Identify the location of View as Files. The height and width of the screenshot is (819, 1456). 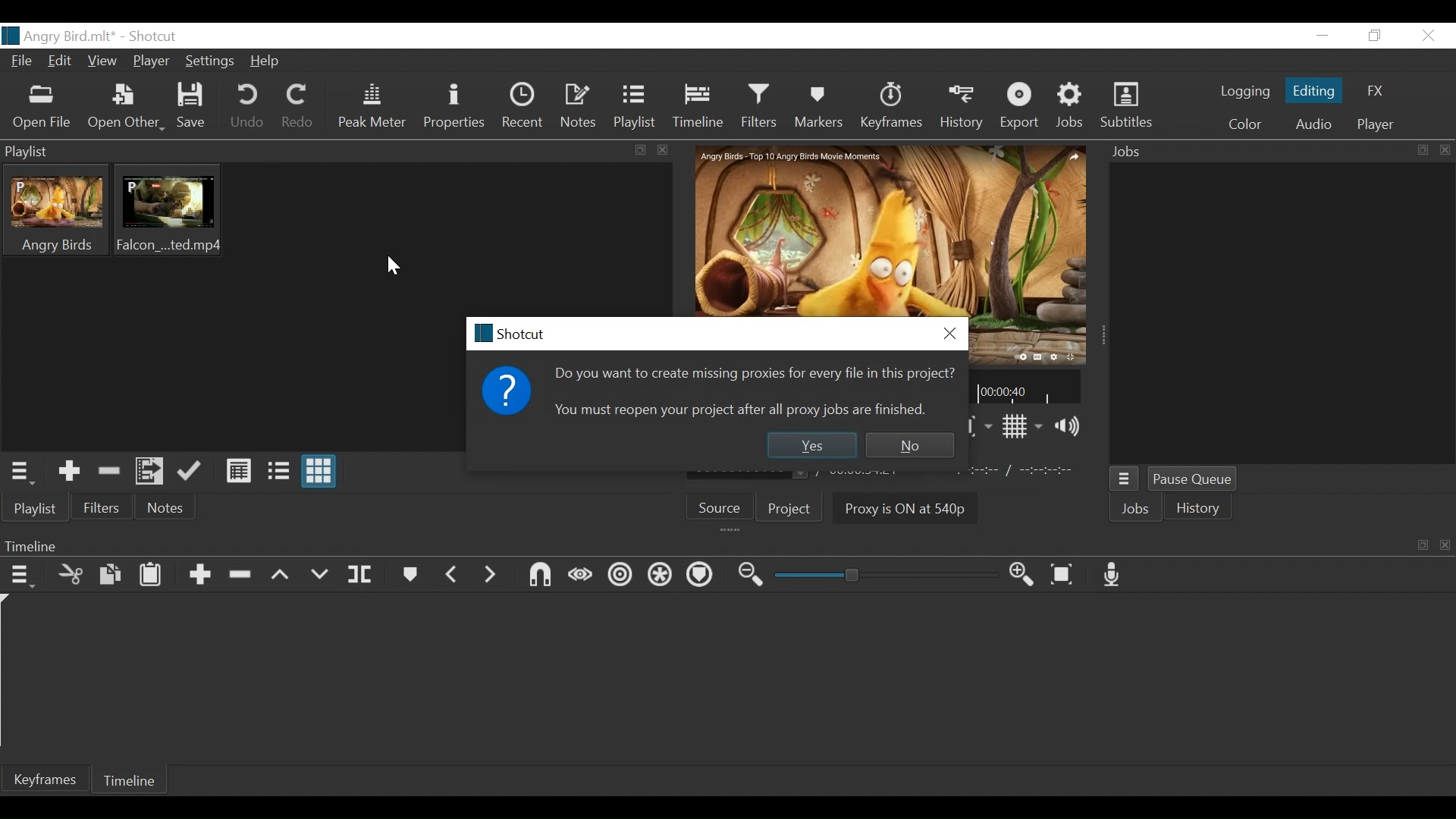
(277, 469).